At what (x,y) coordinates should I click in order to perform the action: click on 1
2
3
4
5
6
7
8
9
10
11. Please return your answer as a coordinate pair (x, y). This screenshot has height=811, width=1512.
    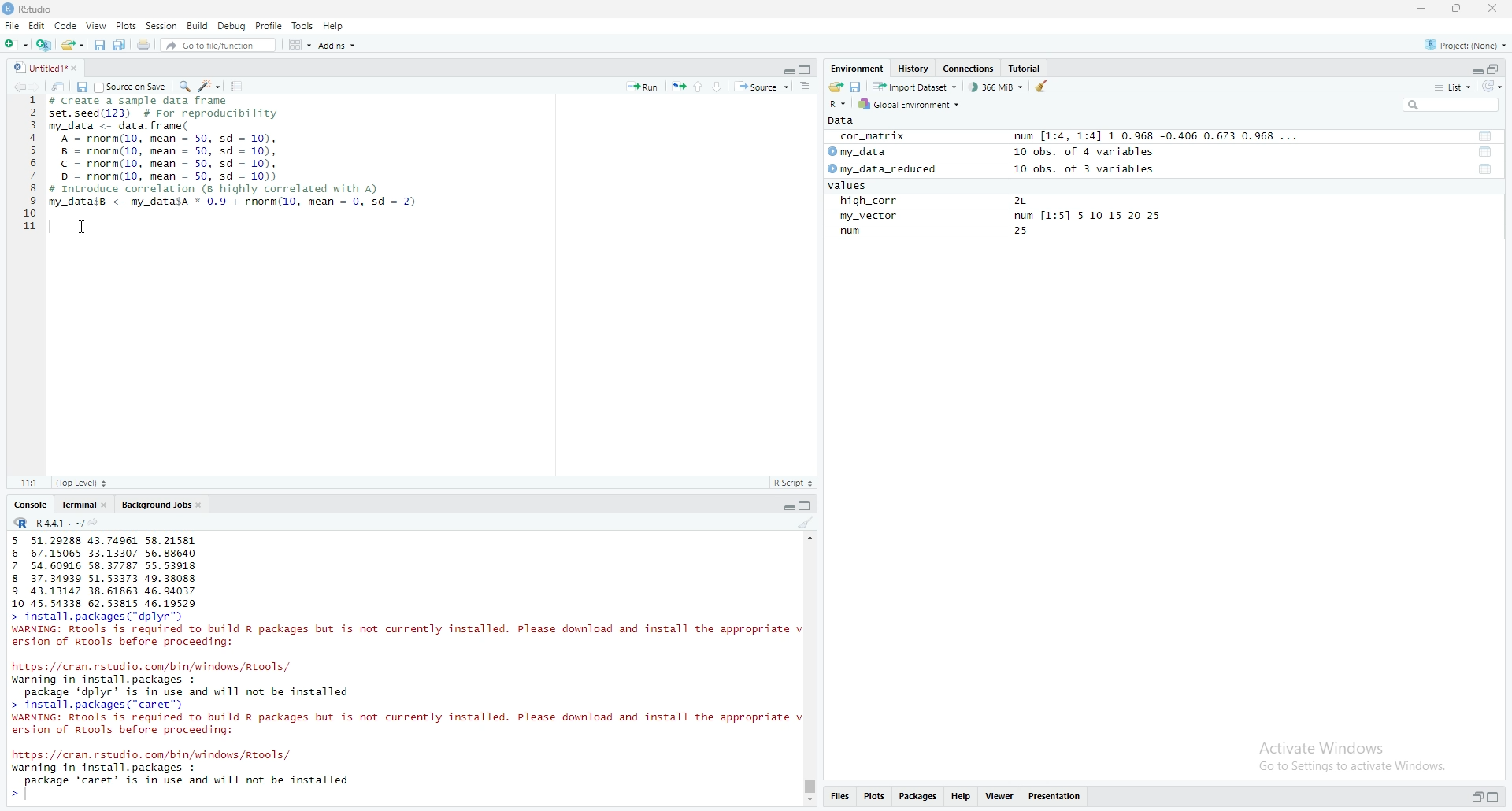
    Looking at the image, I should click on (31, 167).